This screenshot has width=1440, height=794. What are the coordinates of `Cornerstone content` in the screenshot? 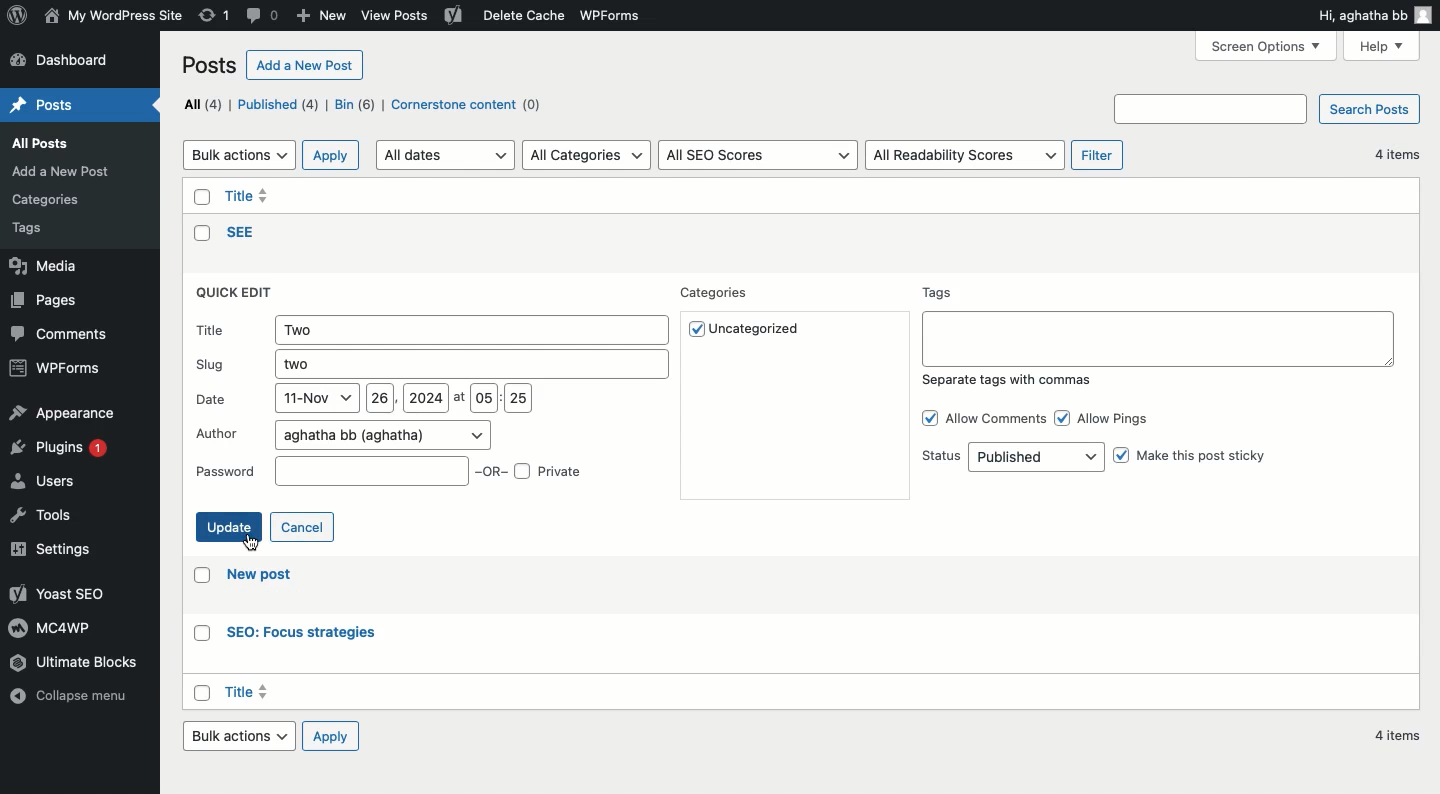 It's located at (469, 105).